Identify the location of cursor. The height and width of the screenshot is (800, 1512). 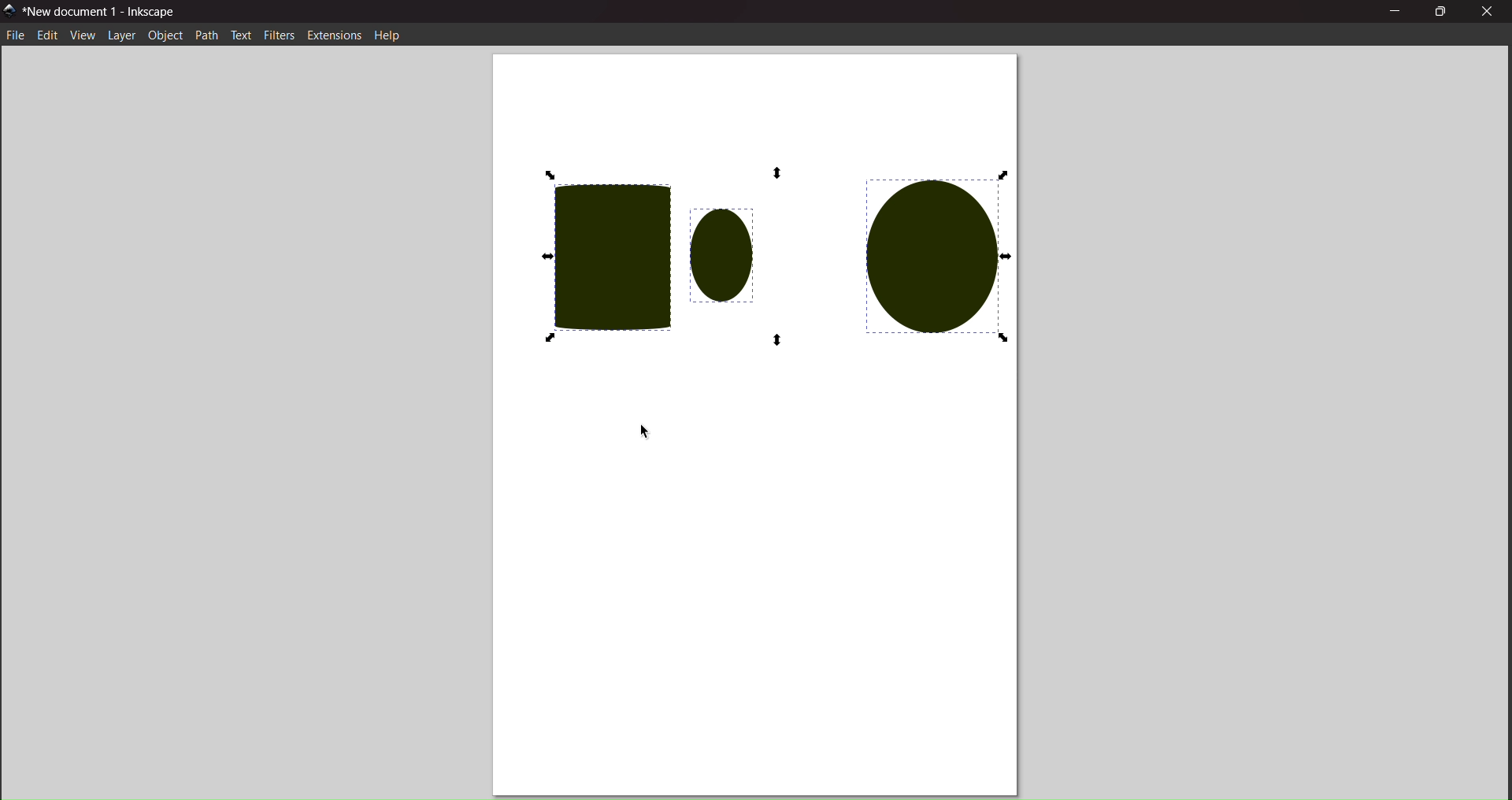
(650, 428).